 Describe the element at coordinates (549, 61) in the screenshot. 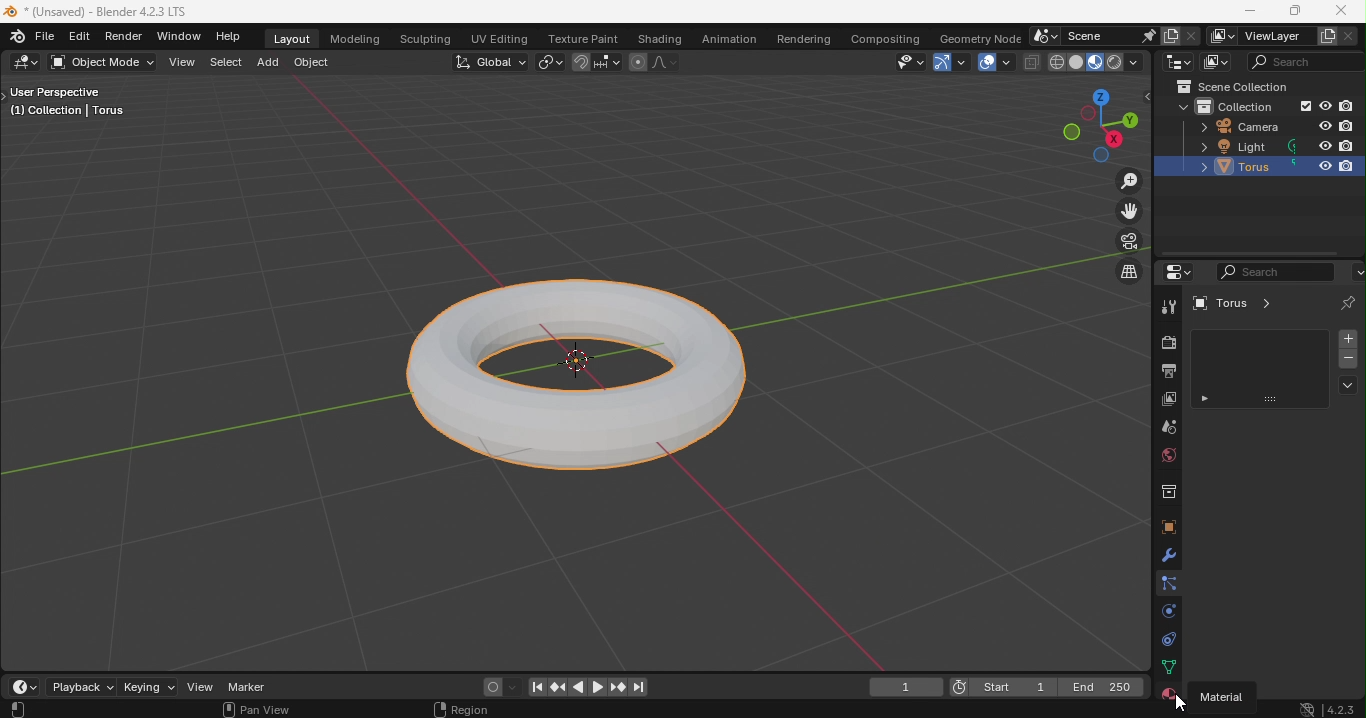

I see `Transform pivot point` at that location.